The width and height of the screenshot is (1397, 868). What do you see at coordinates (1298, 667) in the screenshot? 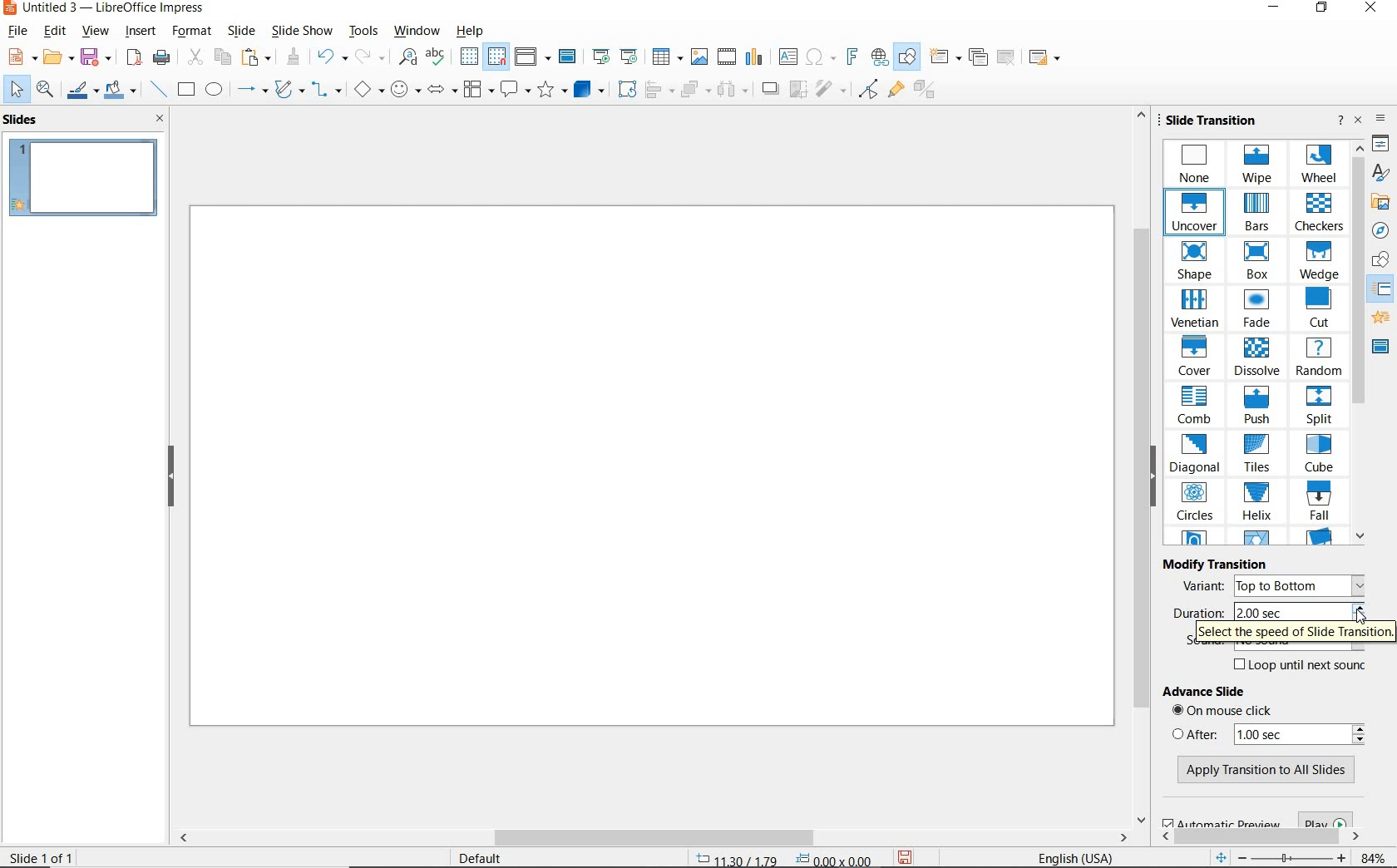
I see `LOOP UNTIL NEXT SOUND` at bounding box center [1298, 667].